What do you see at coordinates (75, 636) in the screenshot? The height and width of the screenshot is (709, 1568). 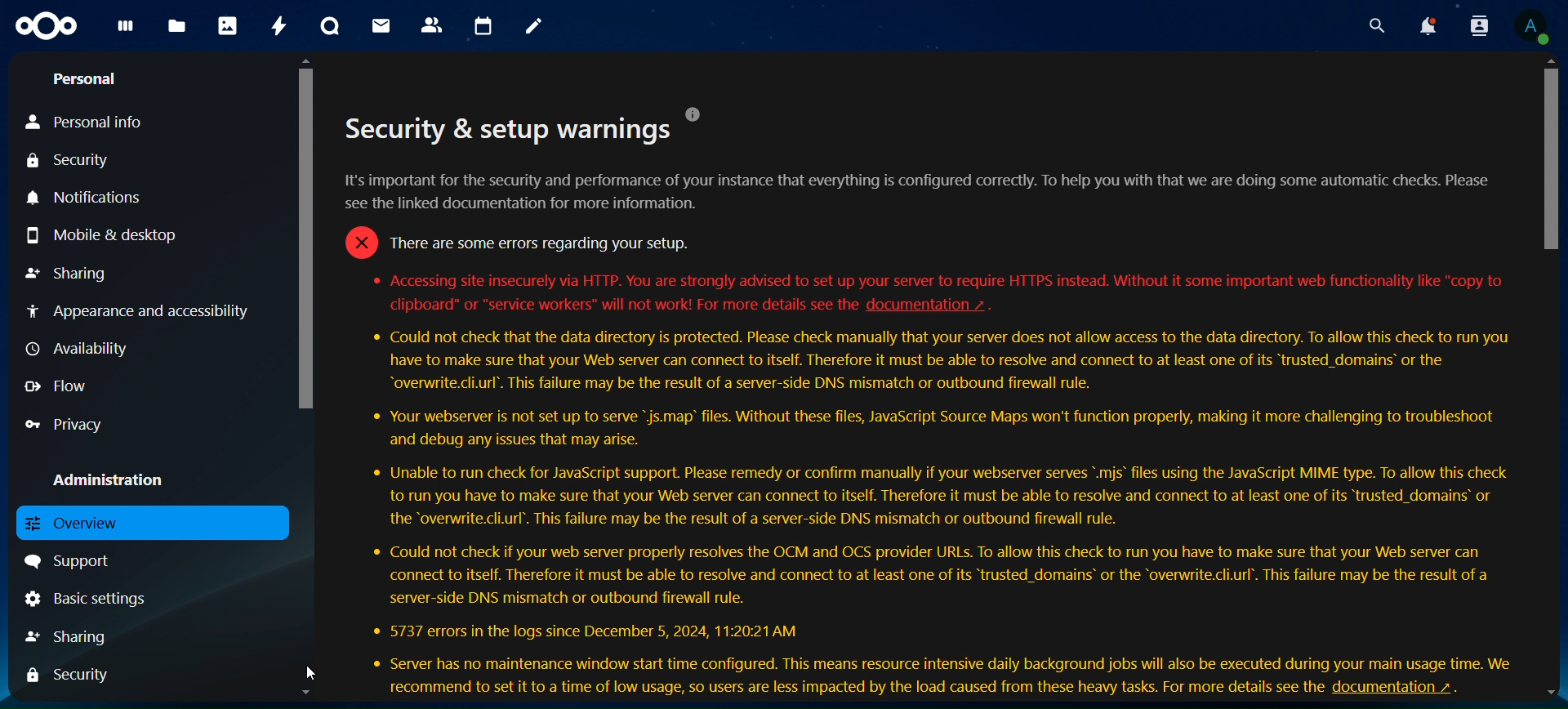 I see `sharing` at bounding box center [75, 636].